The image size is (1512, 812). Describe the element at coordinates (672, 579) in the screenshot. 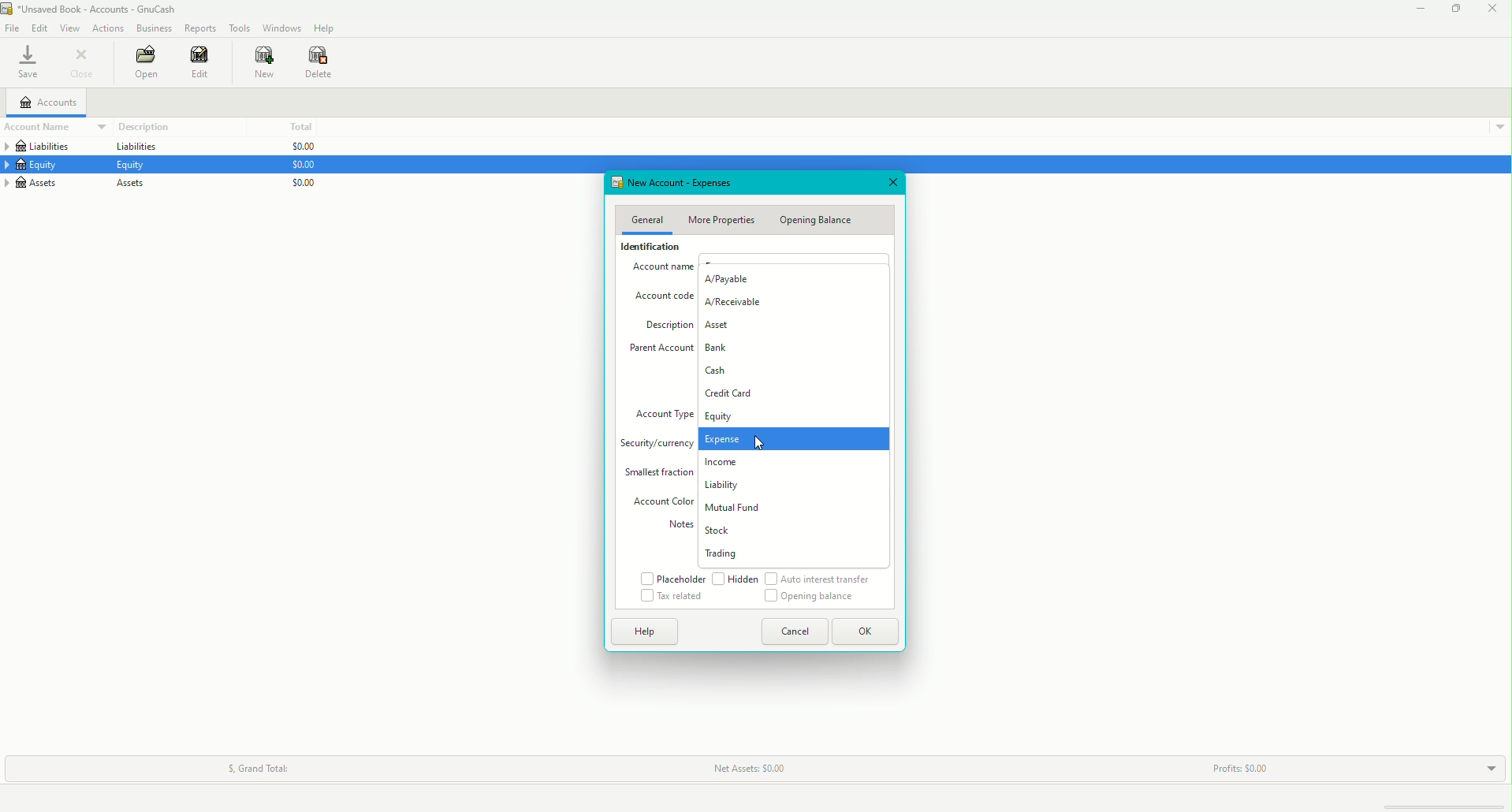

I see `Placeholder` at that location.